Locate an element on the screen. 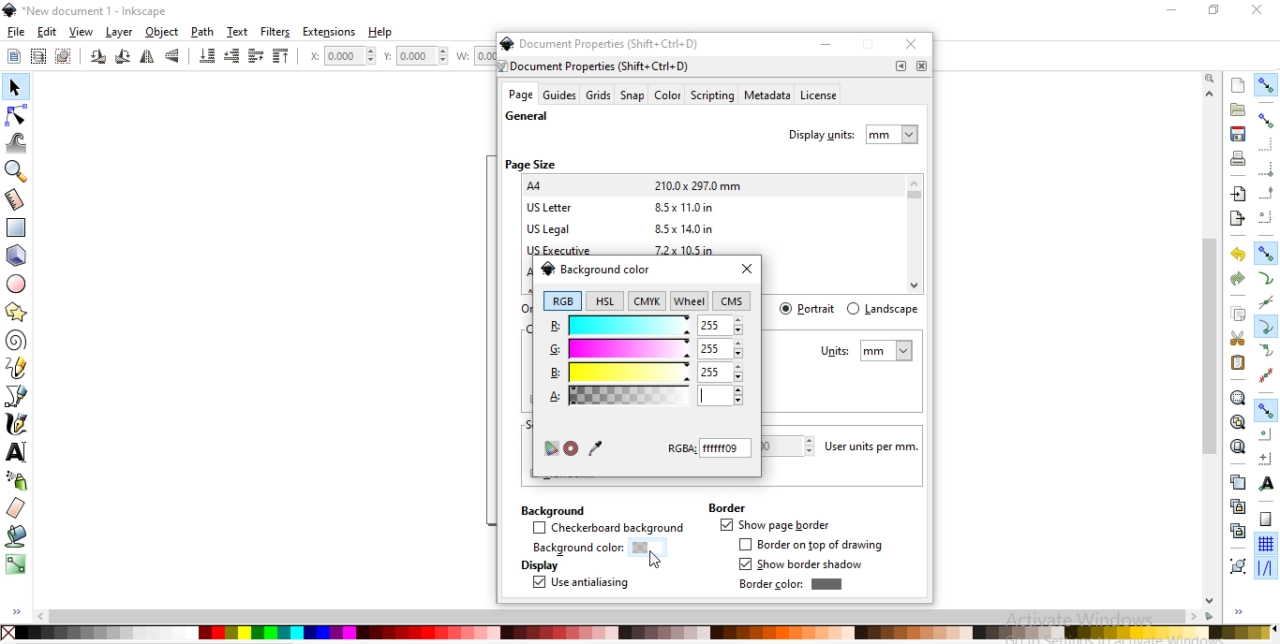  snap is located at coordinates (633, 96).